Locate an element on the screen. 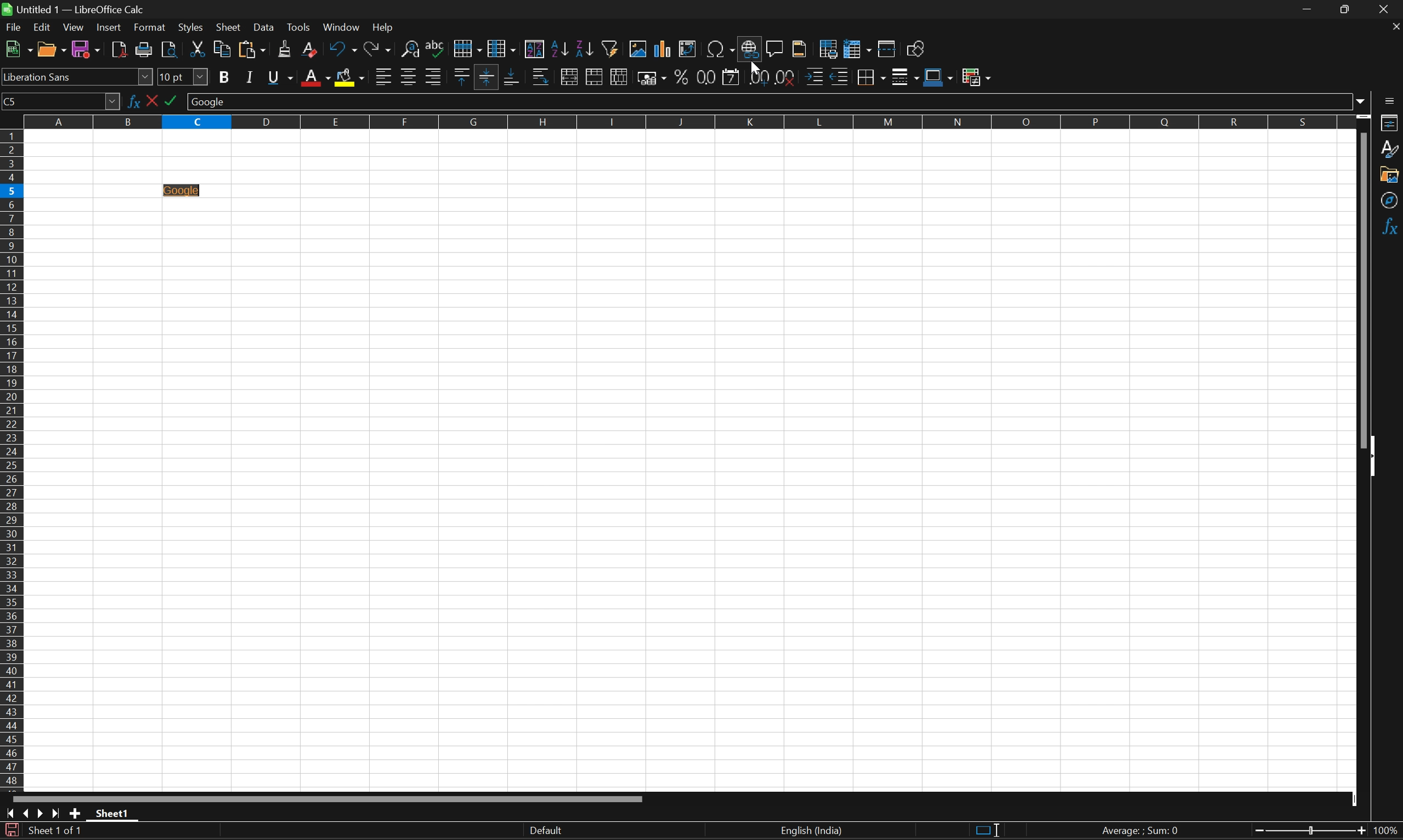  Align right is located at coordinates (434, 77).